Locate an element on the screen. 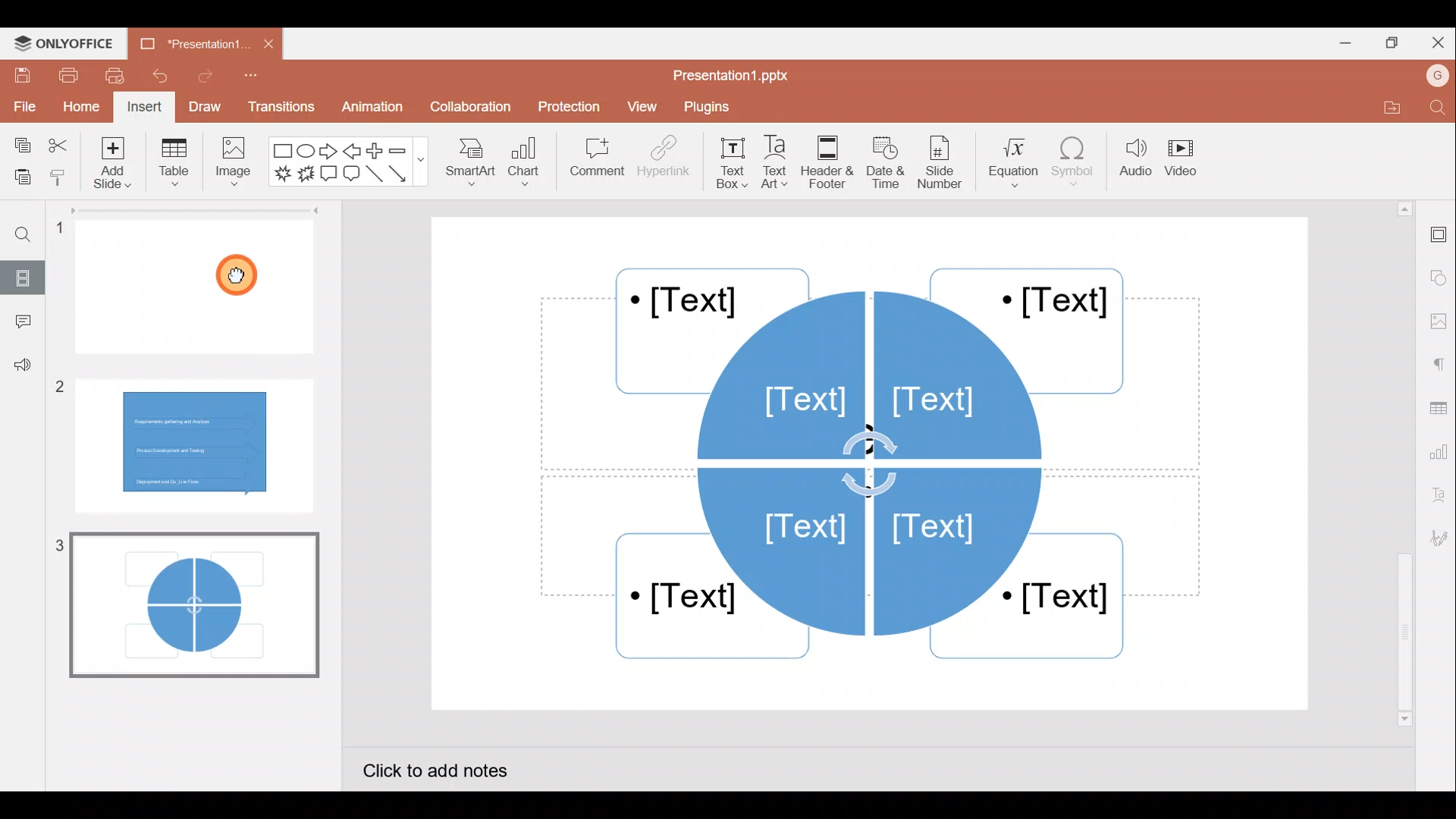 Image resolution: width=1456 pixels, height=819 pixels. Text Art settings is located at coordinates (1437, 500).